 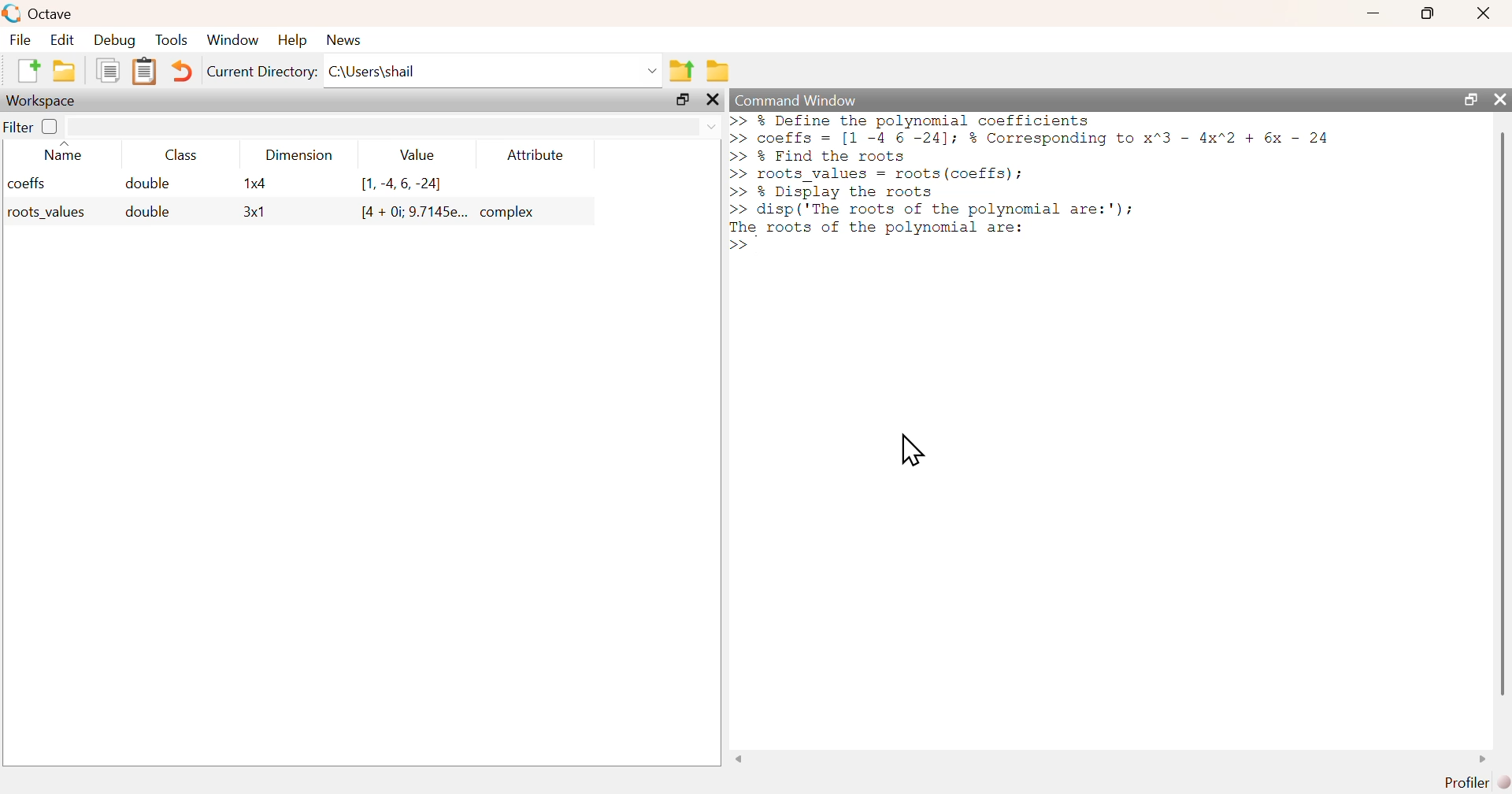 I want to click on Clipboard, so click(x=143, y=72).